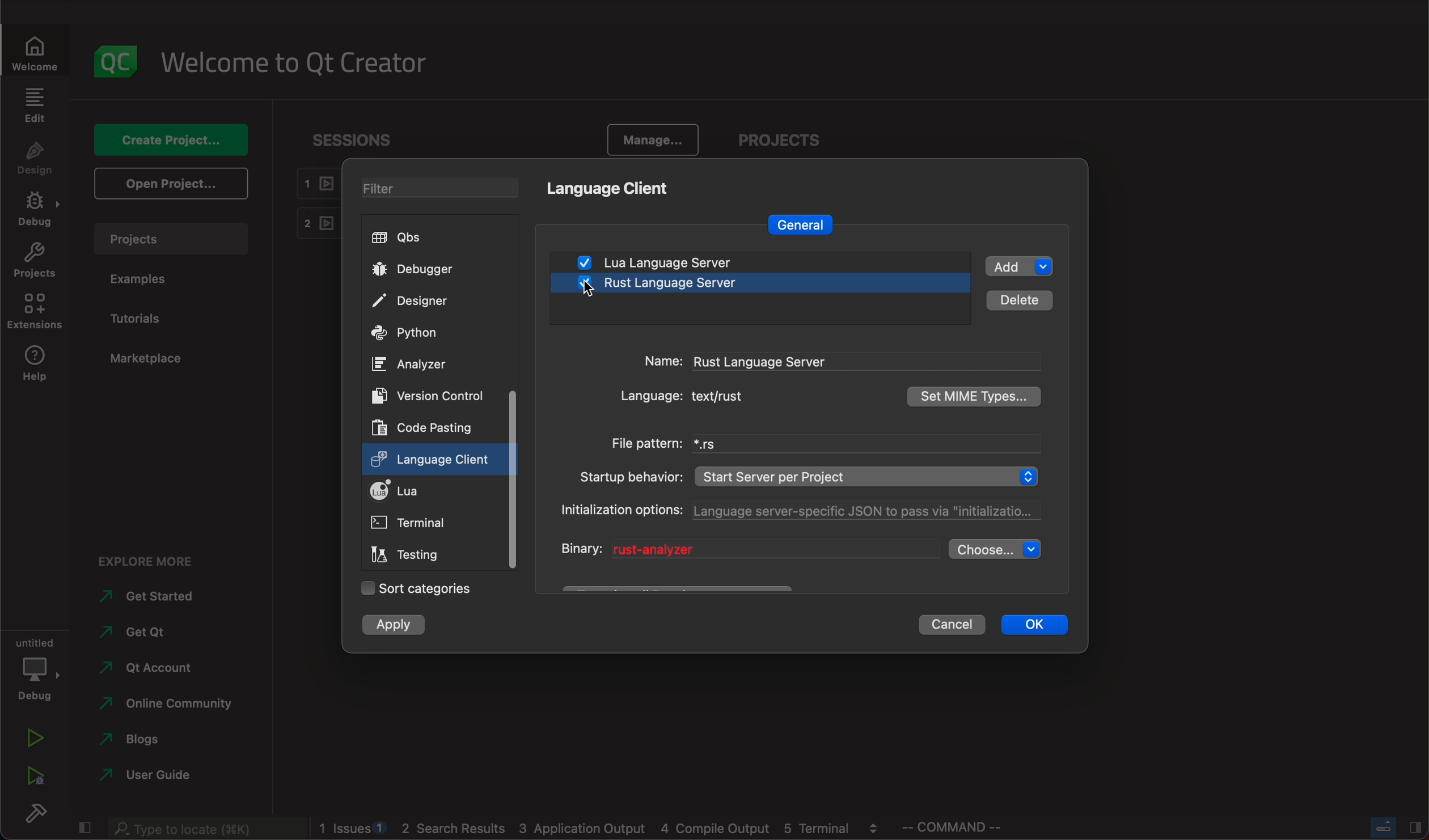 This screenshot has height=840, width=1429. I want to click on debug, so click(36, 210).